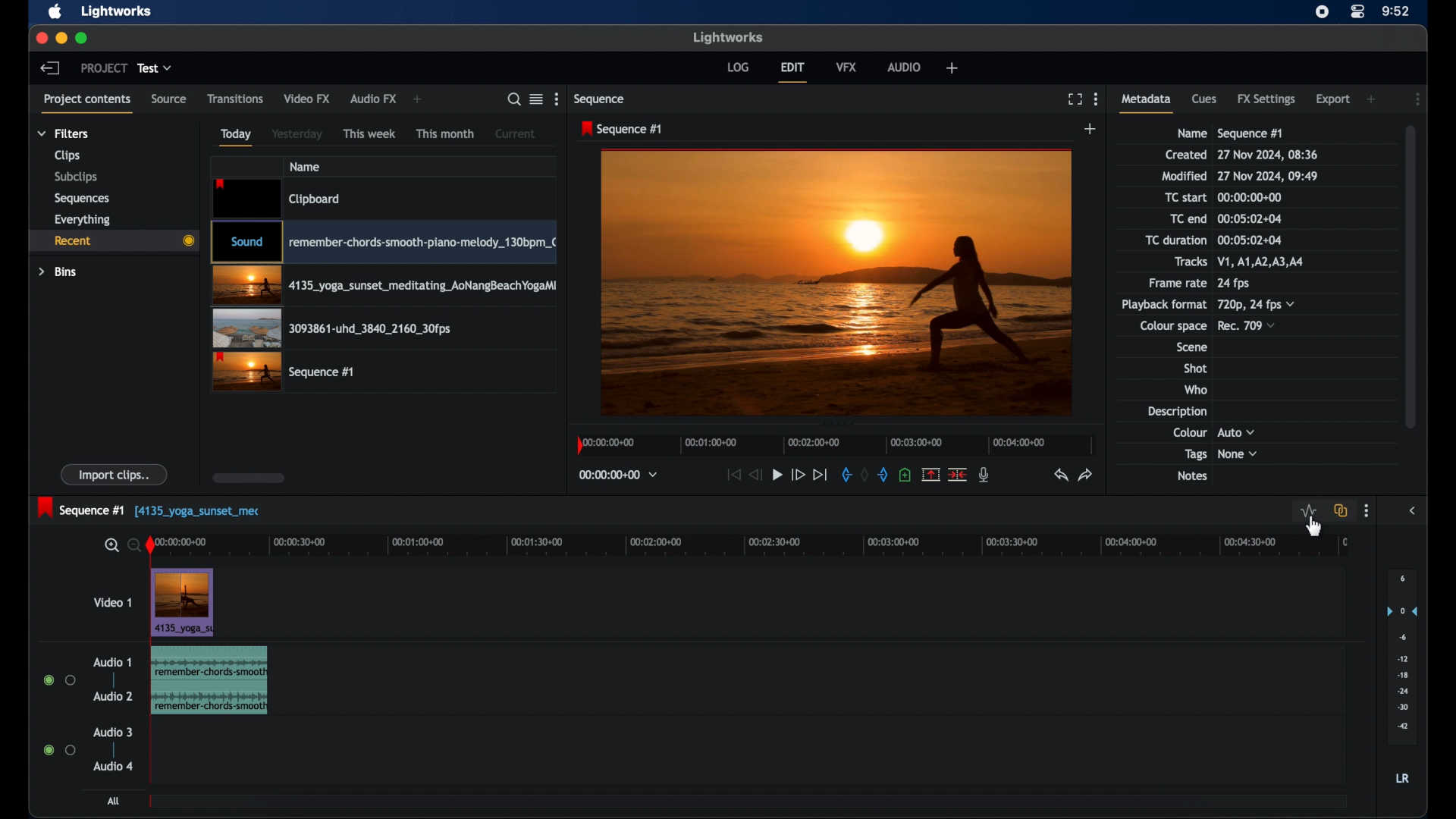 Image resolution: width=1456 pixels, height=819 pixels. What do you see at coordinates (209, 682) in the screenshot?
I see `audio clip` at bounding box center [209, 682].